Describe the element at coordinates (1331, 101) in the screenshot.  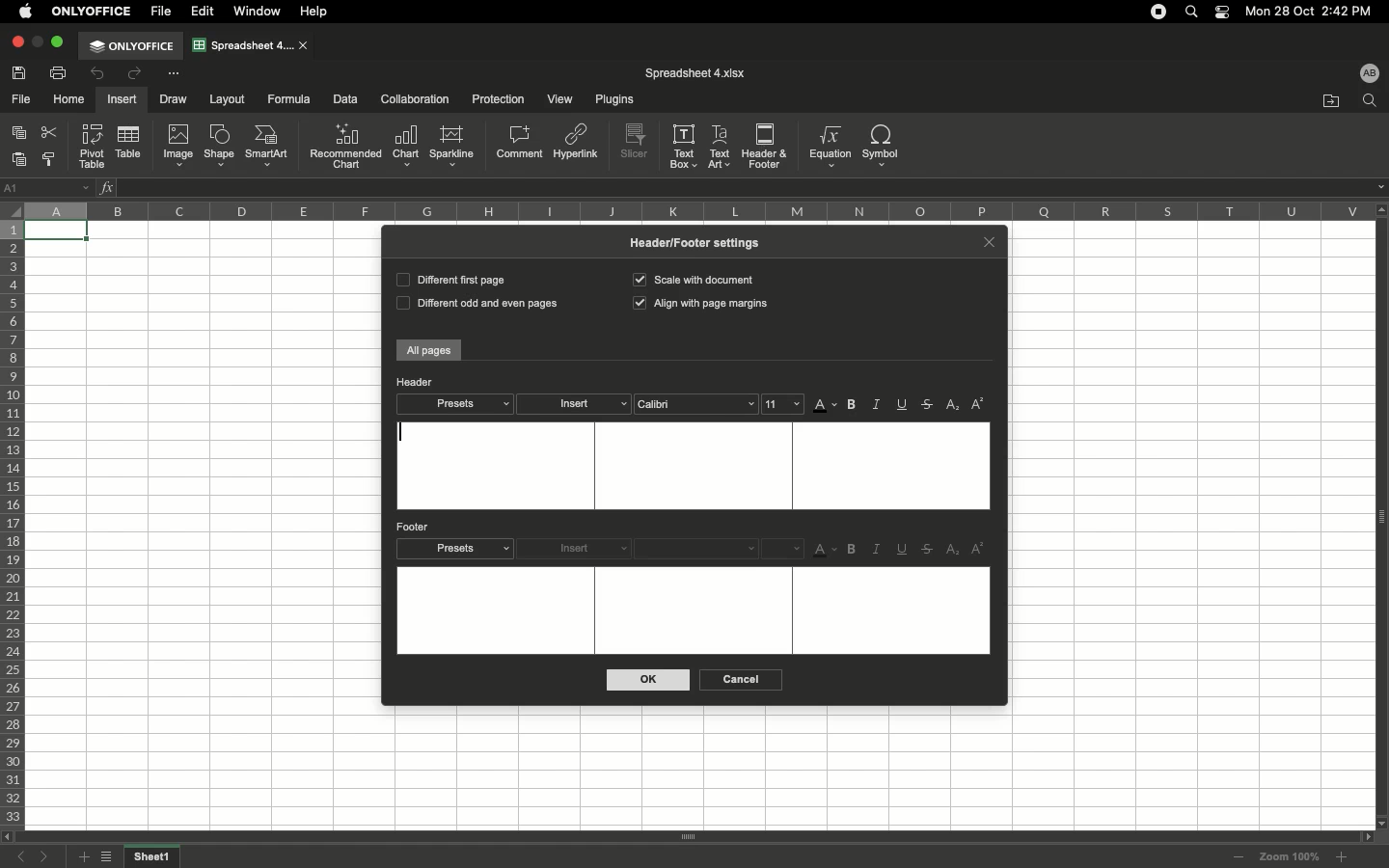
I see `Open file location` at that location.